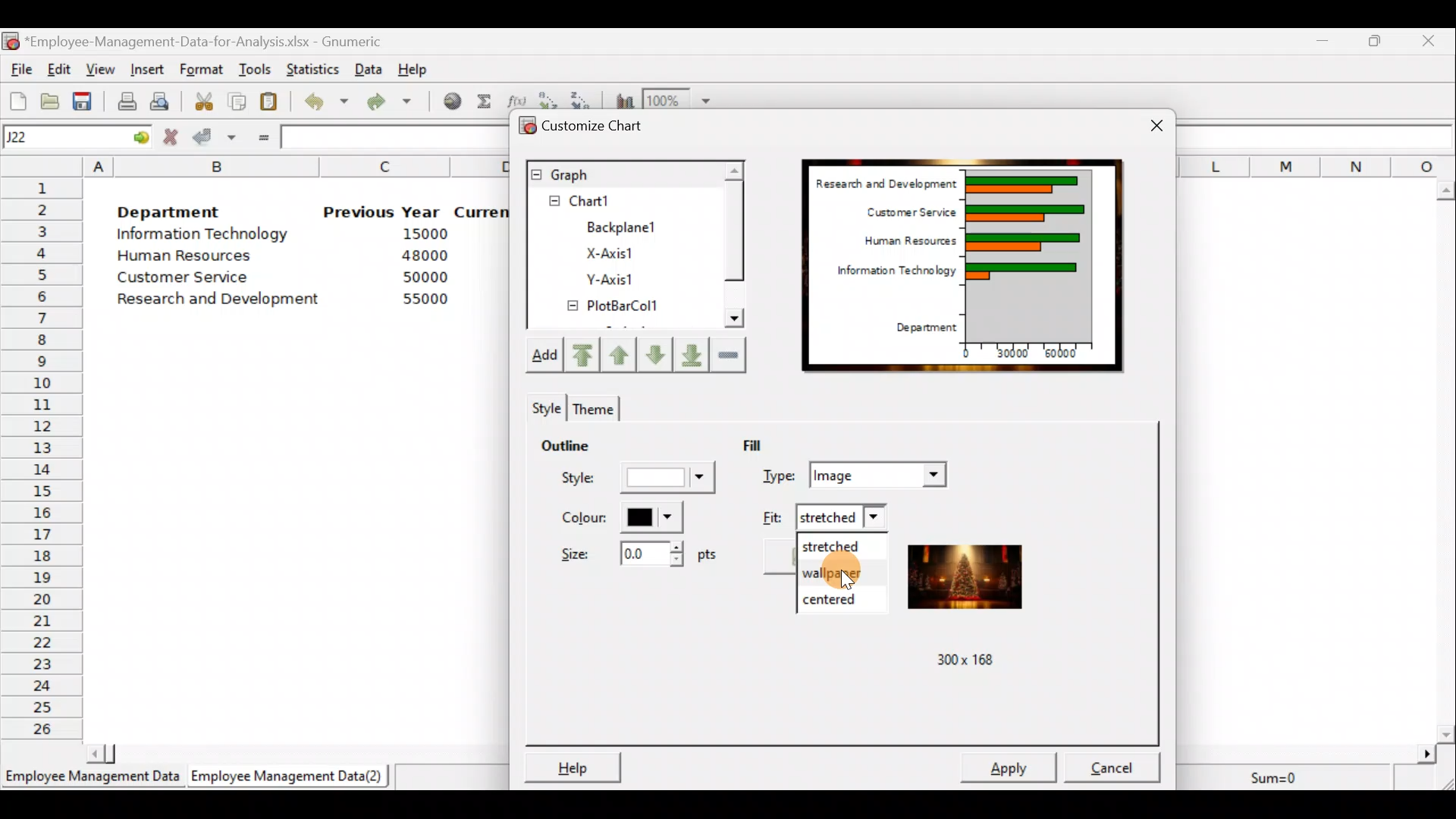  What do you see at coordinates (219, 42) in the screenshot?
I see `‘Employee-Management-Data-for-Analysis.xlsx - Gnumeric` at bounding box center [219, 42].